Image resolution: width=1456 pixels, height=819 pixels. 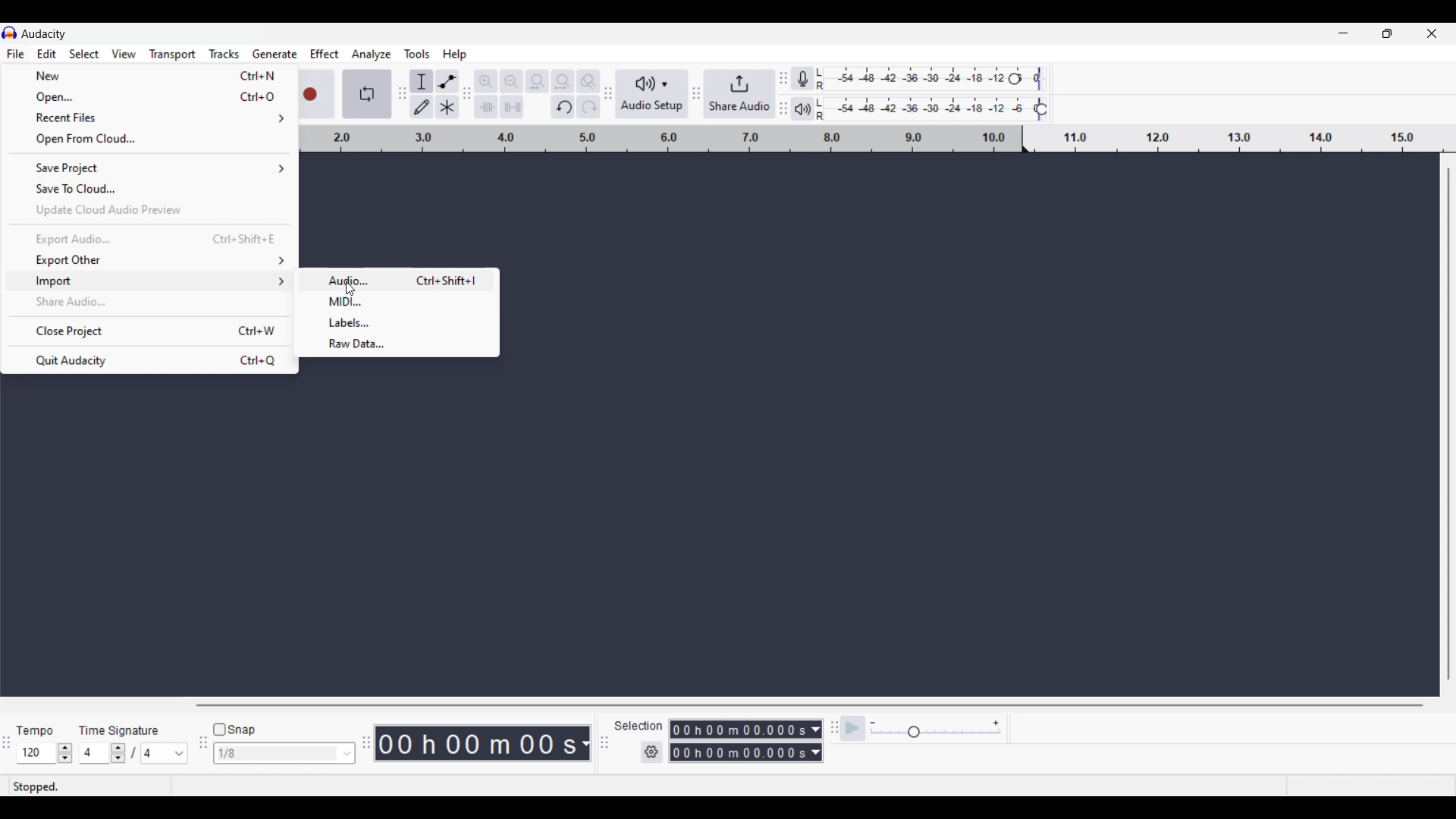 I want to click on Darw tool, so click(x=421, y=106).